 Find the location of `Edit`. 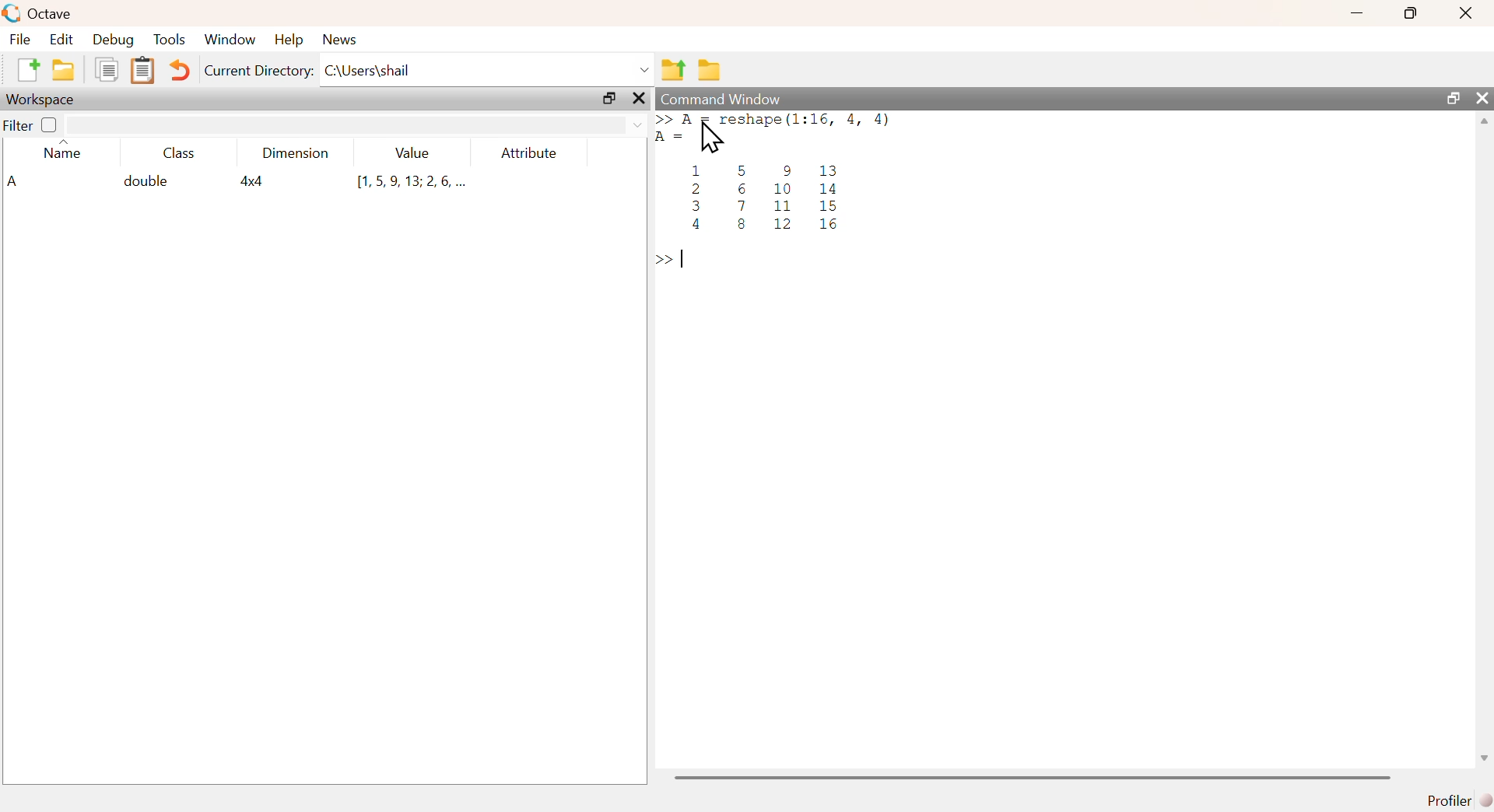

Edit is located at coordinates (63, 39).